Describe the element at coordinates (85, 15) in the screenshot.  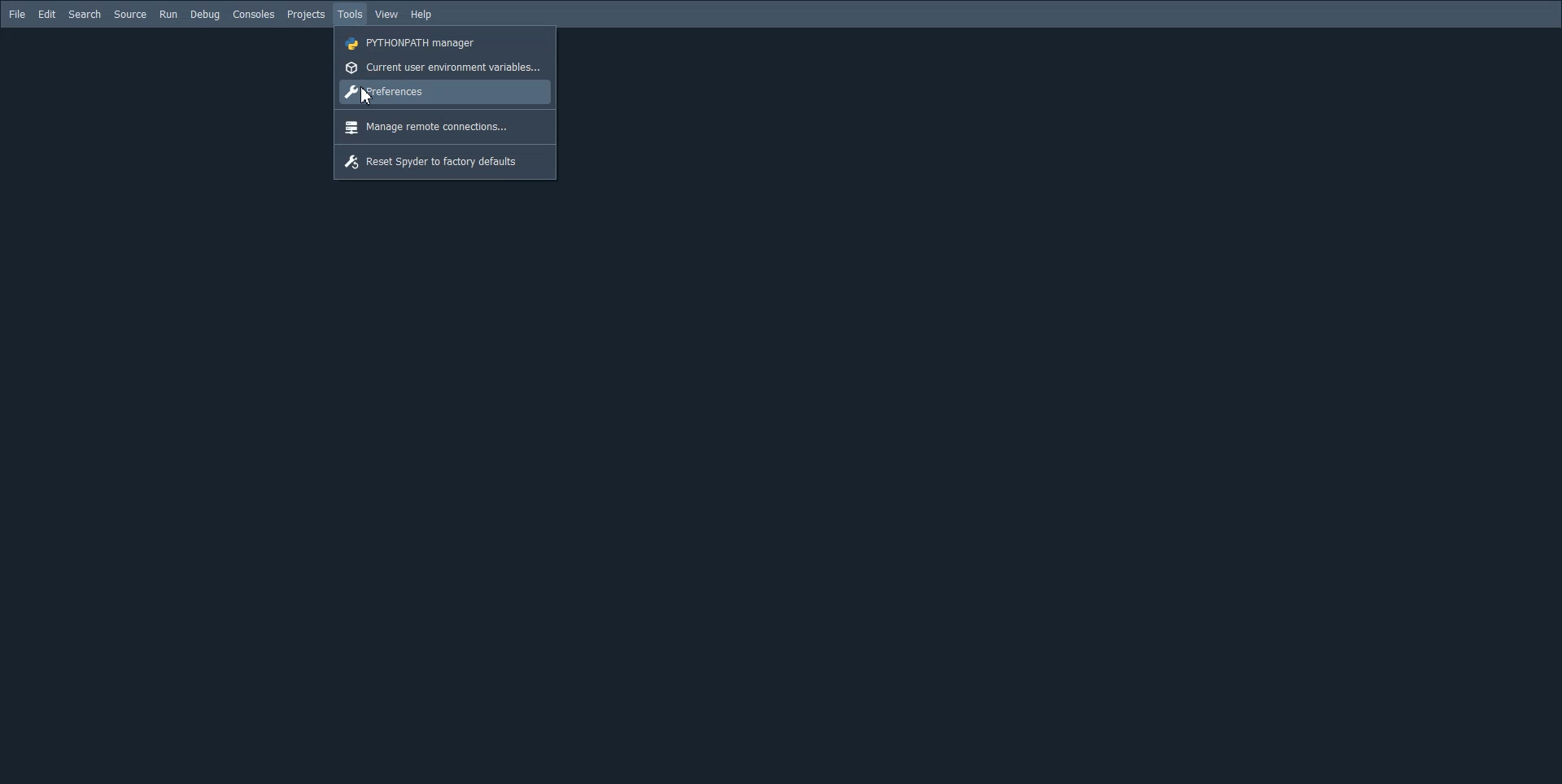
I see `Search` at that location.